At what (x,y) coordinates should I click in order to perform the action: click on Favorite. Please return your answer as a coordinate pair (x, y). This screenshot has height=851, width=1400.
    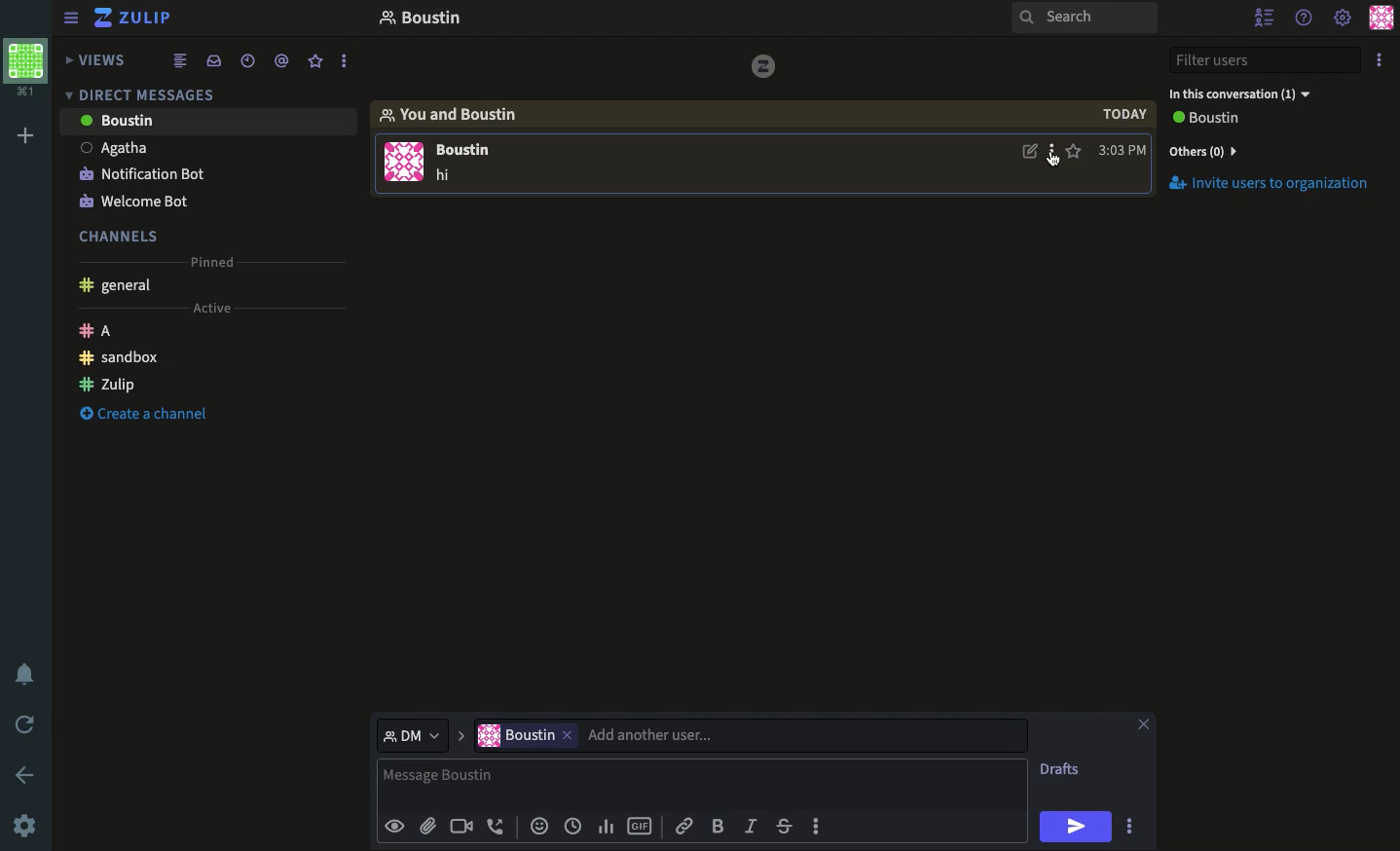
    Looking at the image, I should click on (1075, 151).